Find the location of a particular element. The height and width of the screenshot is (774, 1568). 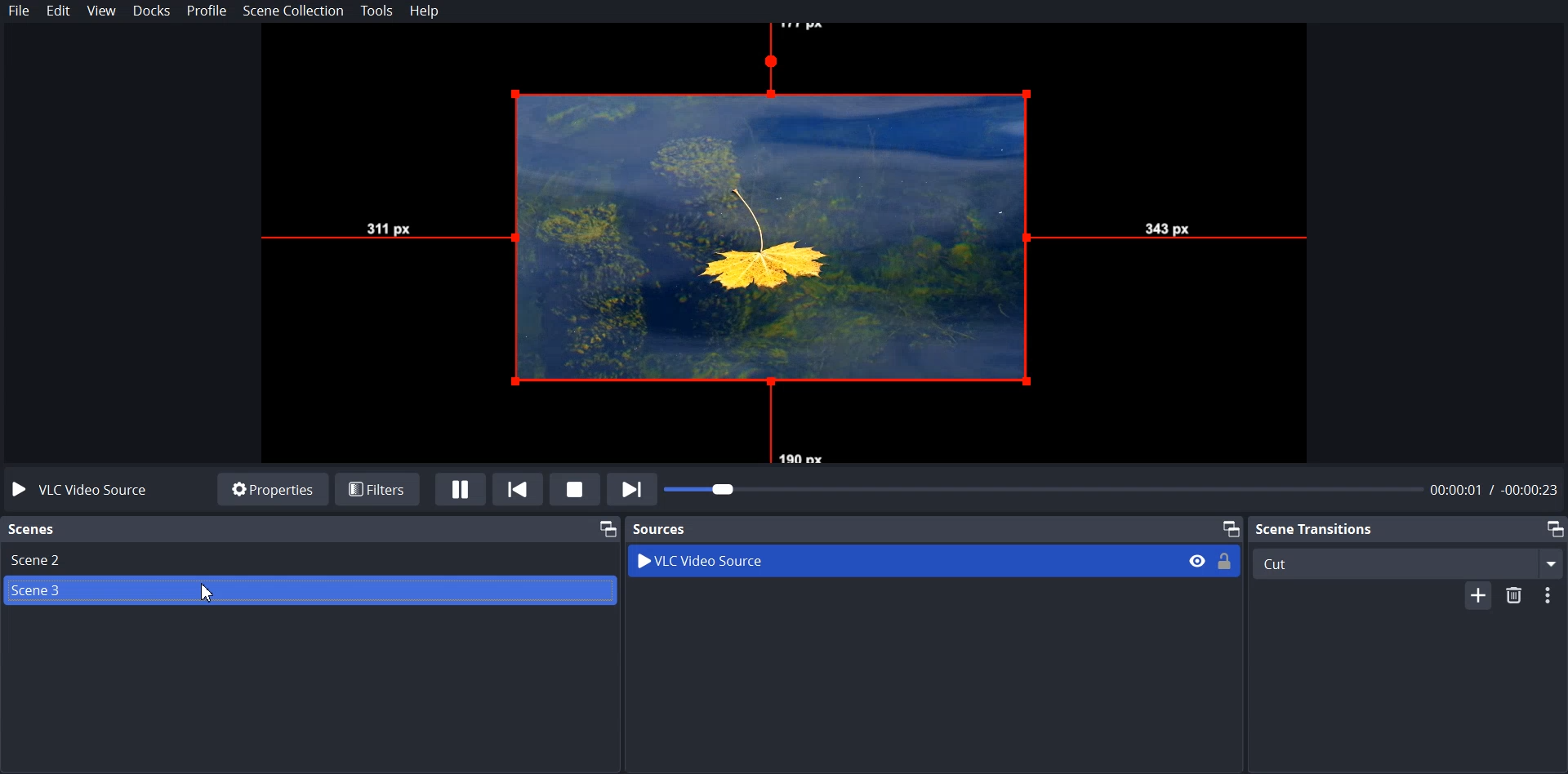

Source 3 is located at coordinates (310, 593).